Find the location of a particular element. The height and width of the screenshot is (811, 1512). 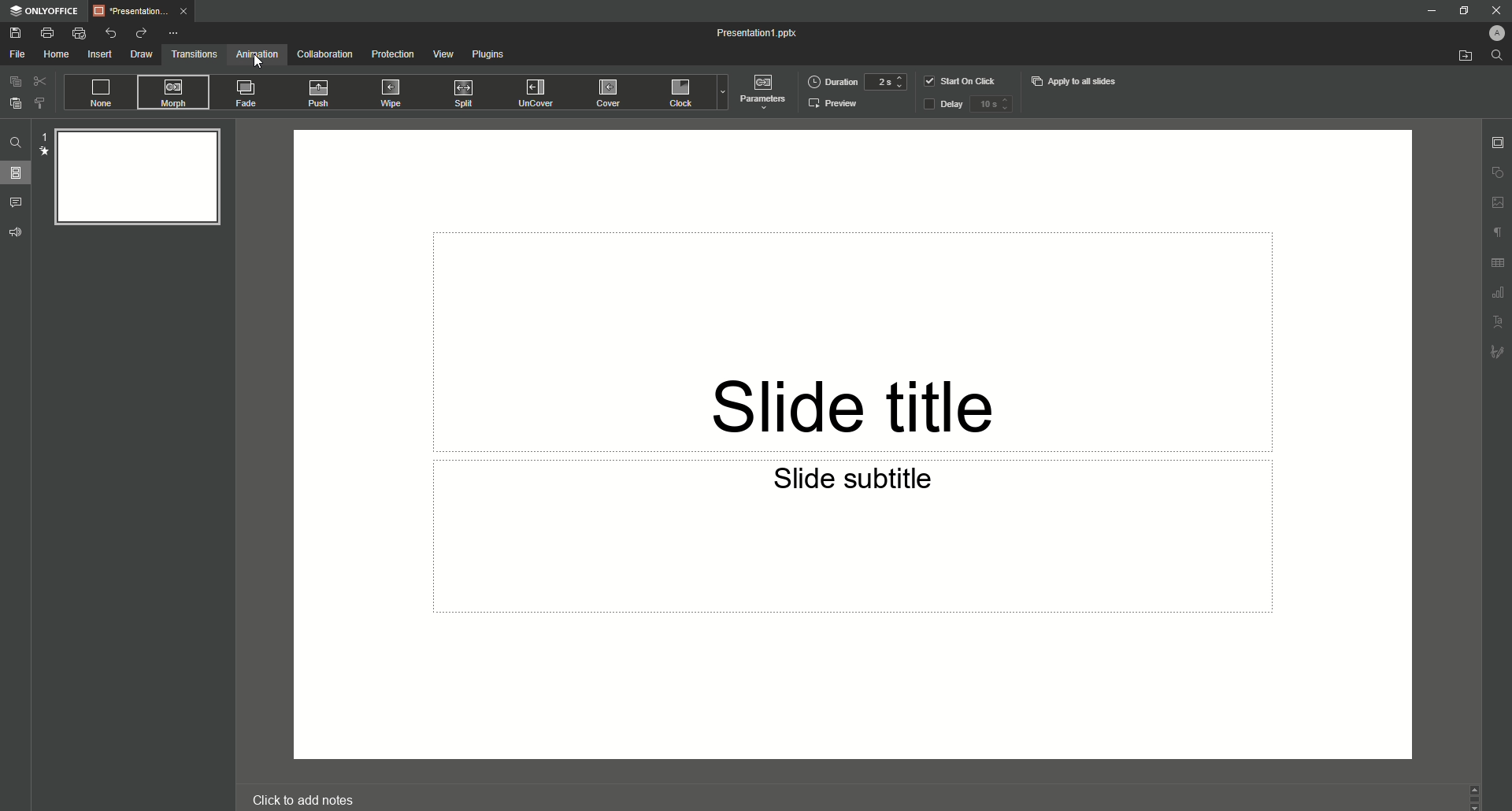

View is located at coordinates (443, 54).